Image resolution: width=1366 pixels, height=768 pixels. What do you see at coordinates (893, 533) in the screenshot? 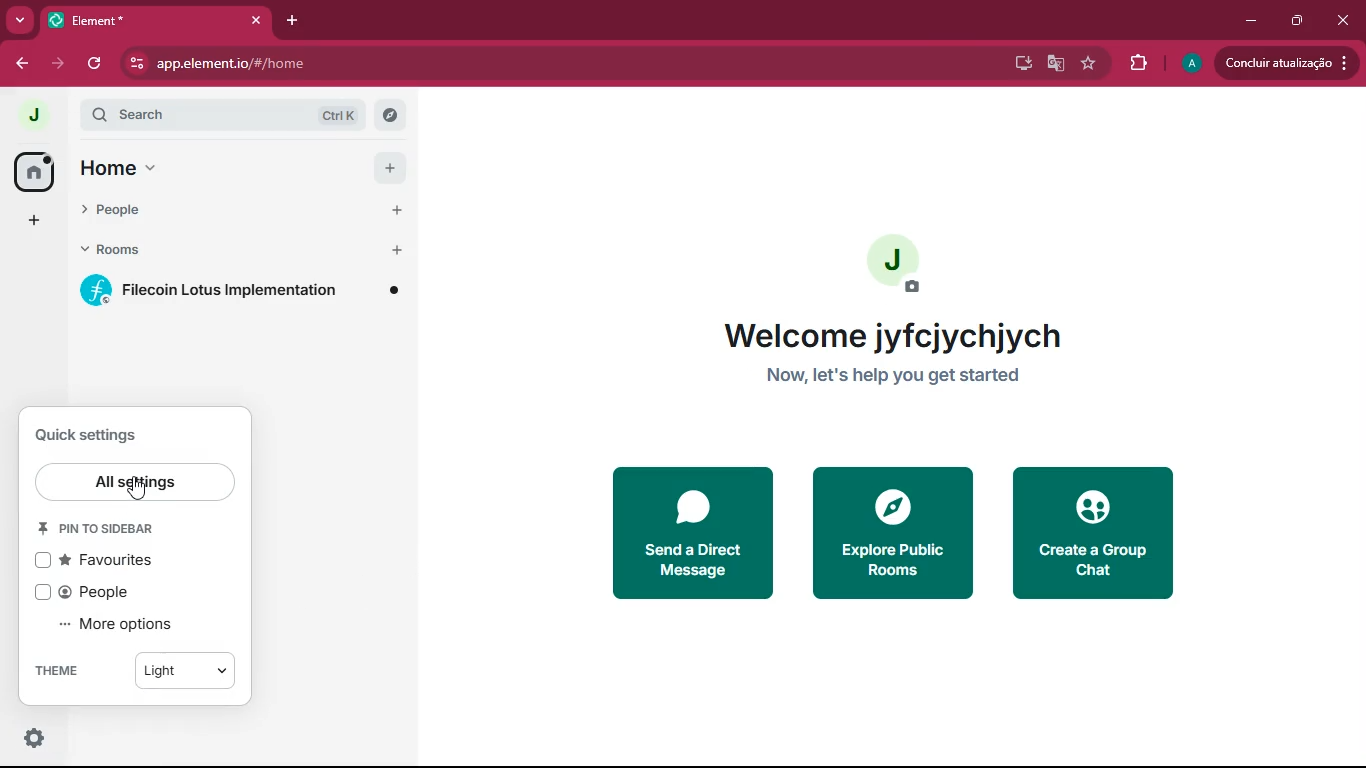
I see `explore public rooms` at bounding box center [893, 533].